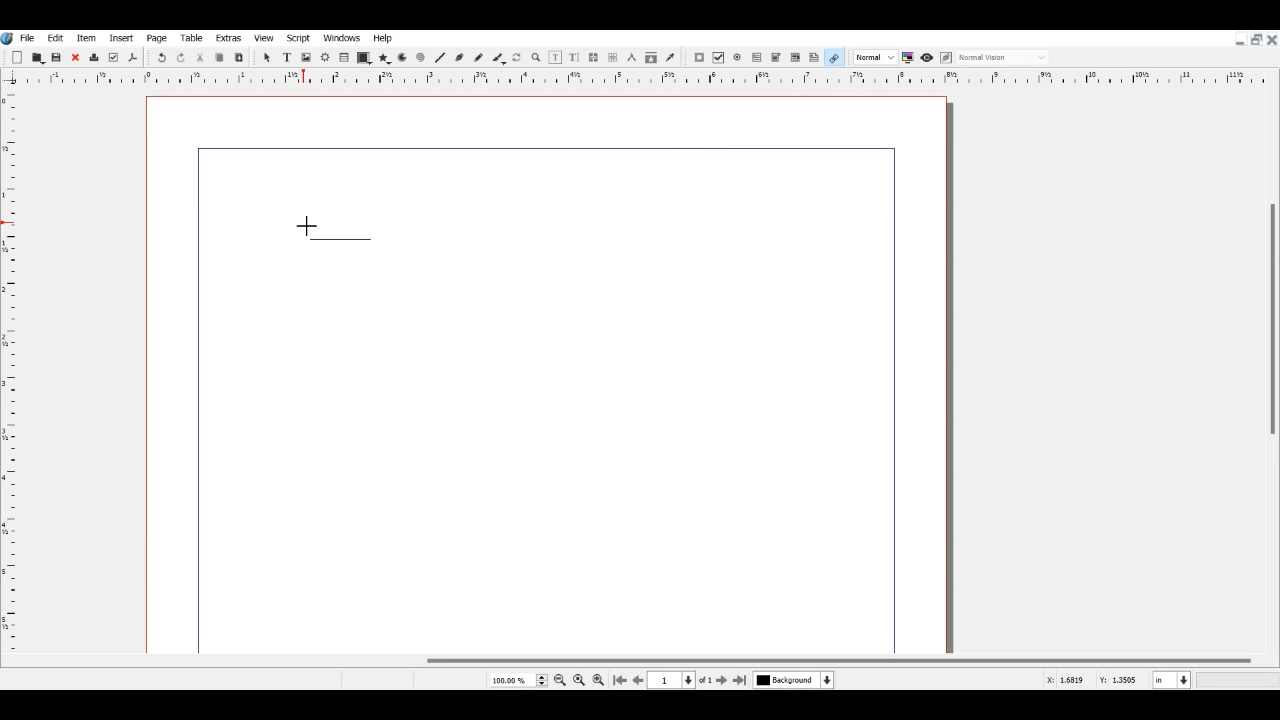 This screenshot has height=720, width=1280. Describe the element at coordinates (518, 58) in the screenshot. I see `Rotate Item` at that location.